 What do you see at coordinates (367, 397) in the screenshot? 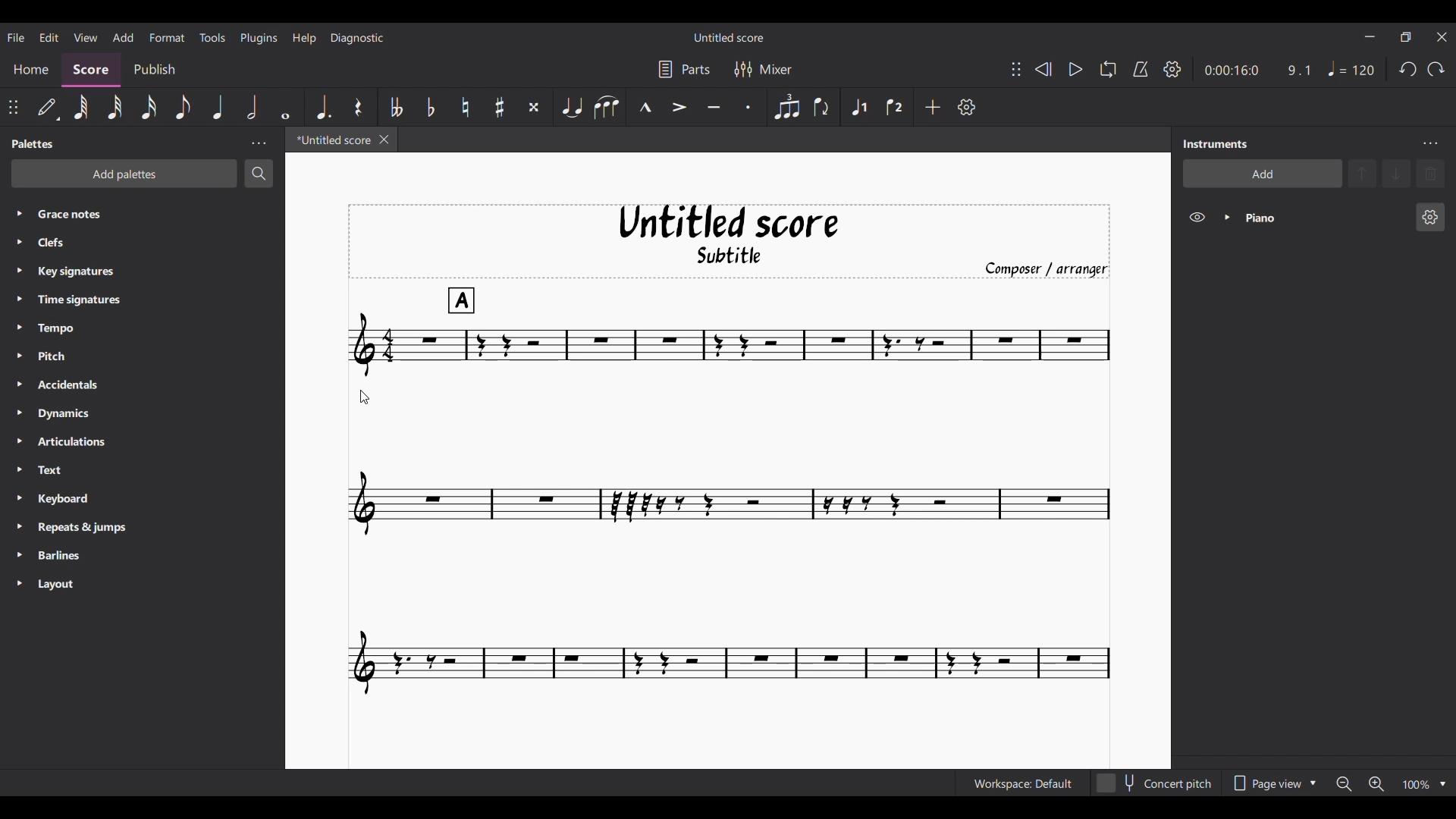
I see `Cursor` at bounding box center [367, 397].